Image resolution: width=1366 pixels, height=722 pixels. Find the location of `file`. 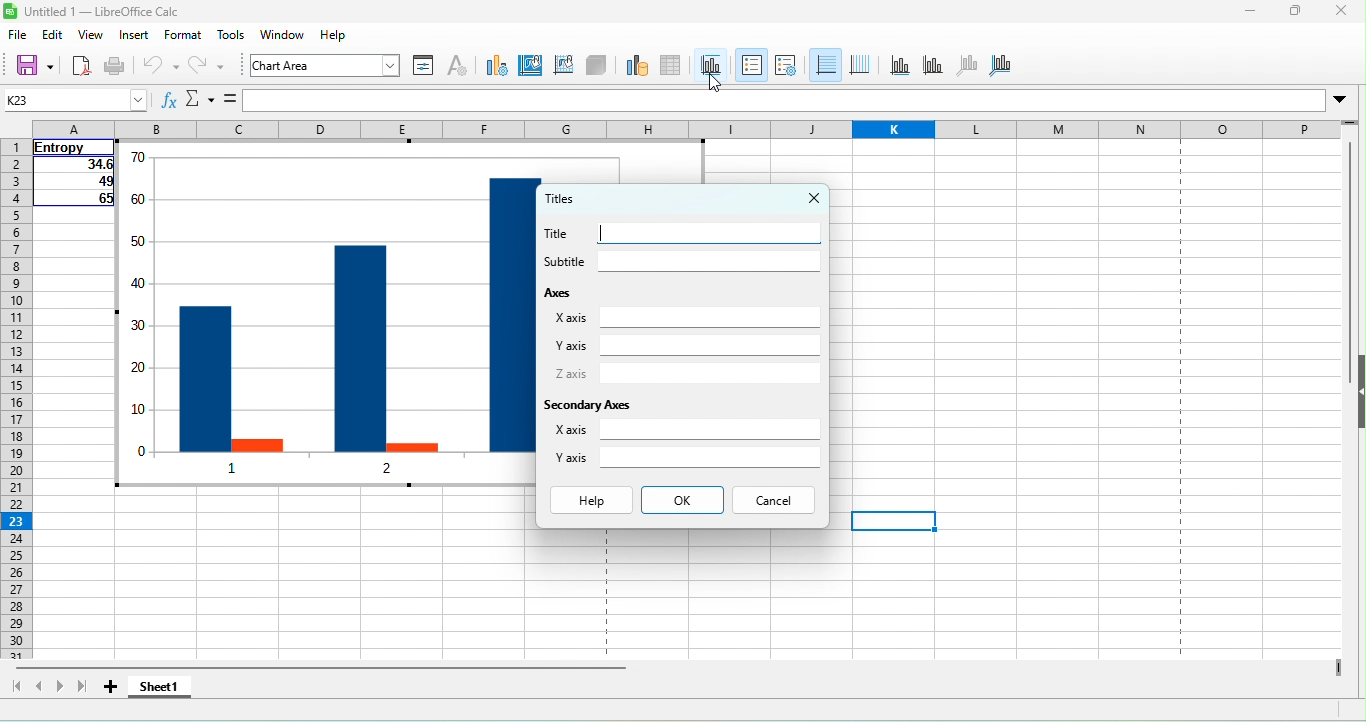

file is located at coordinates (19, 38).